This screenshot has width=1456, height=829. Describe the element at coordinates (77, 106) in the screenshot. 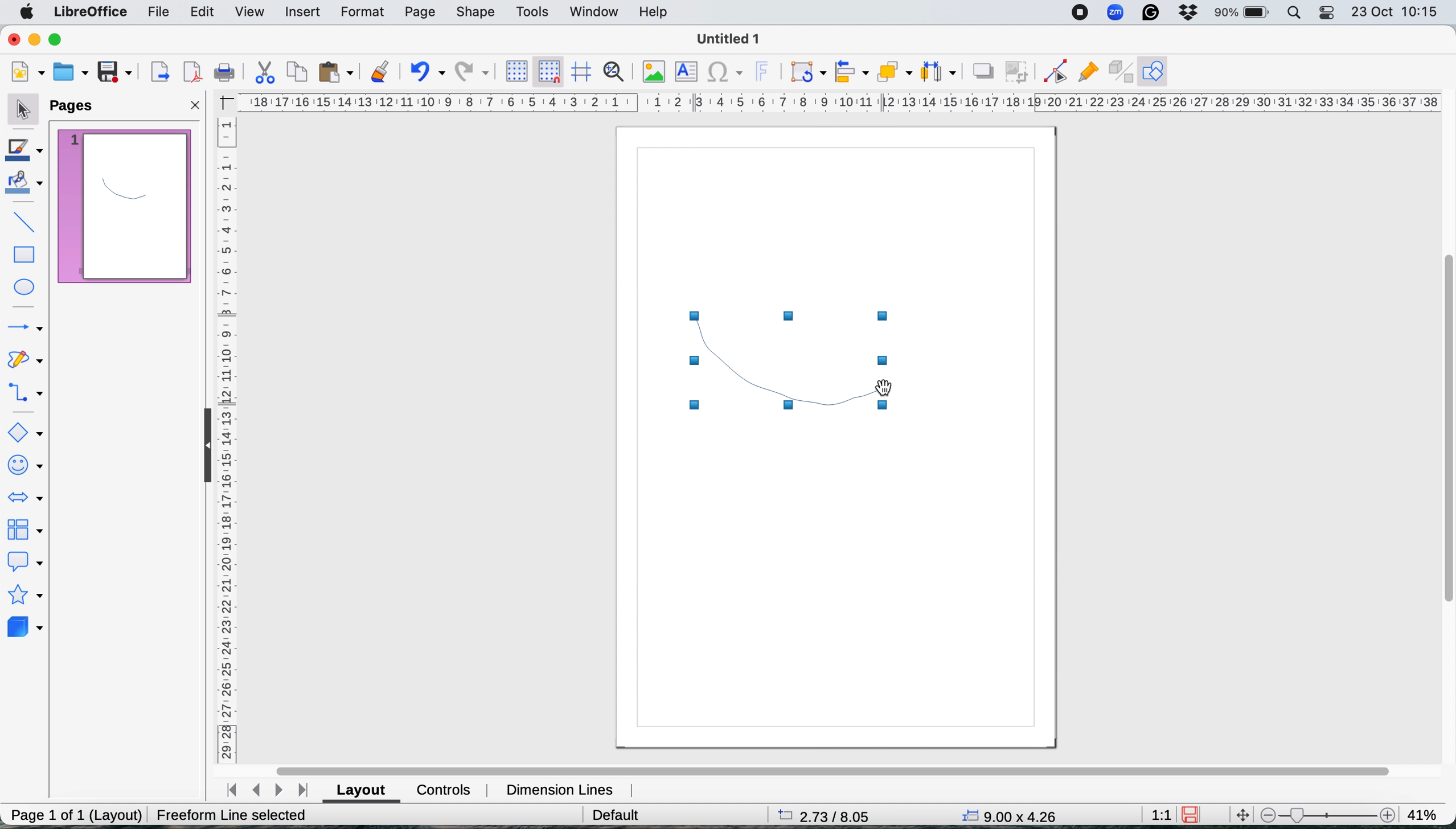

I see `pages` at that location.